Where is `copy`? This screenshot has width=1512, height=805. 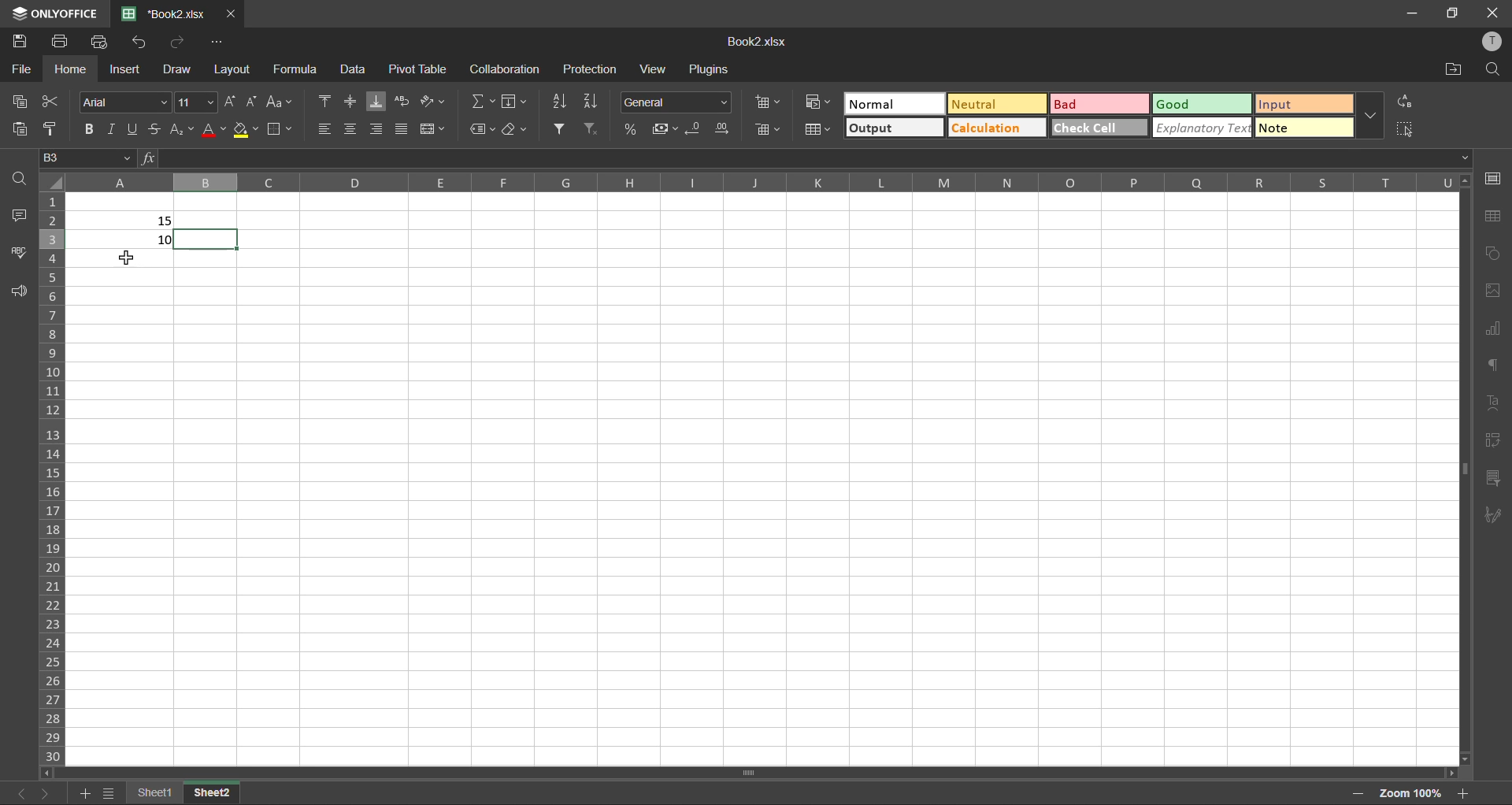 copy is located at coordinates (25, 101).